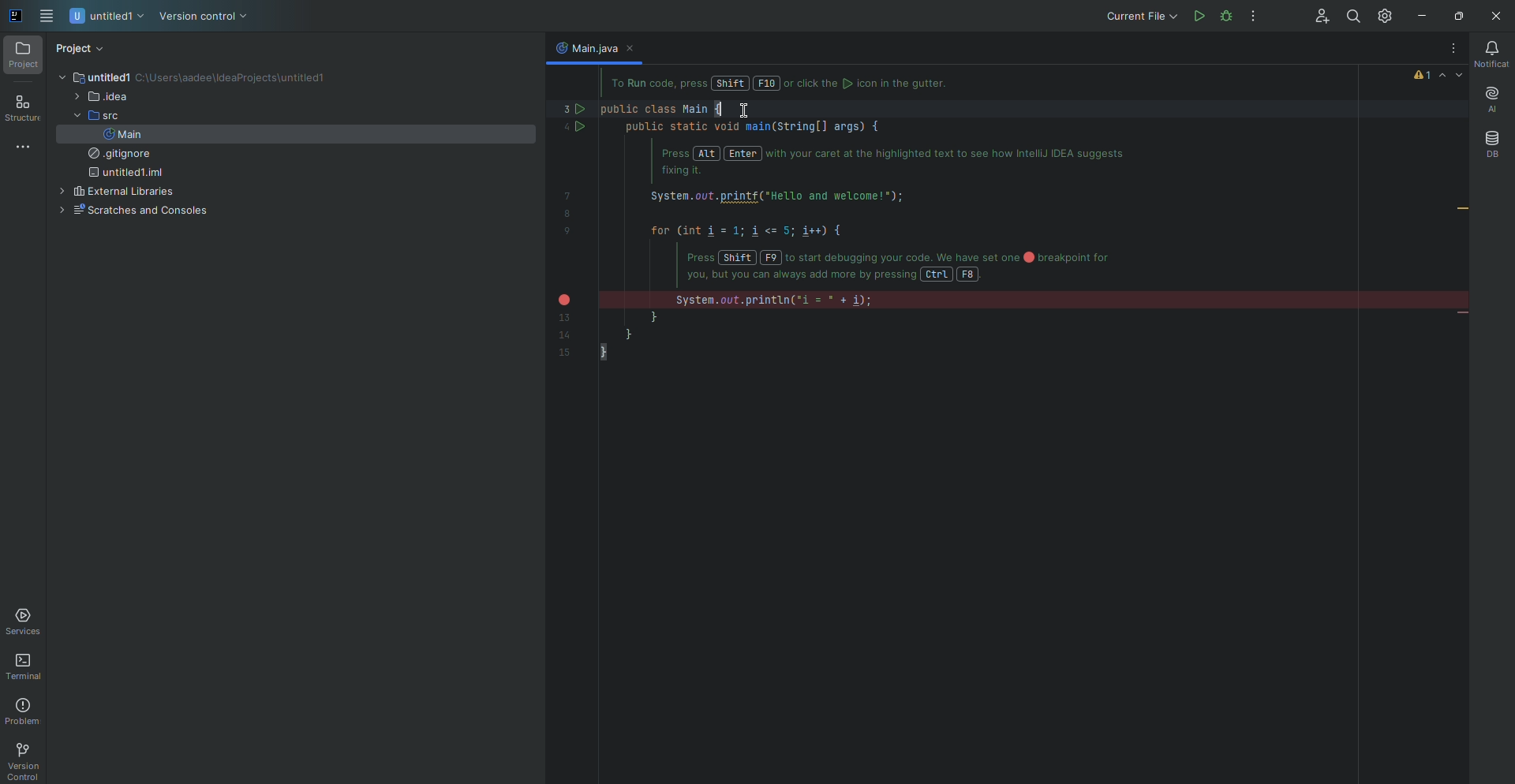 This screenshot has width=1515, height=784. I want to click on .gitignore, so click(115, 155).